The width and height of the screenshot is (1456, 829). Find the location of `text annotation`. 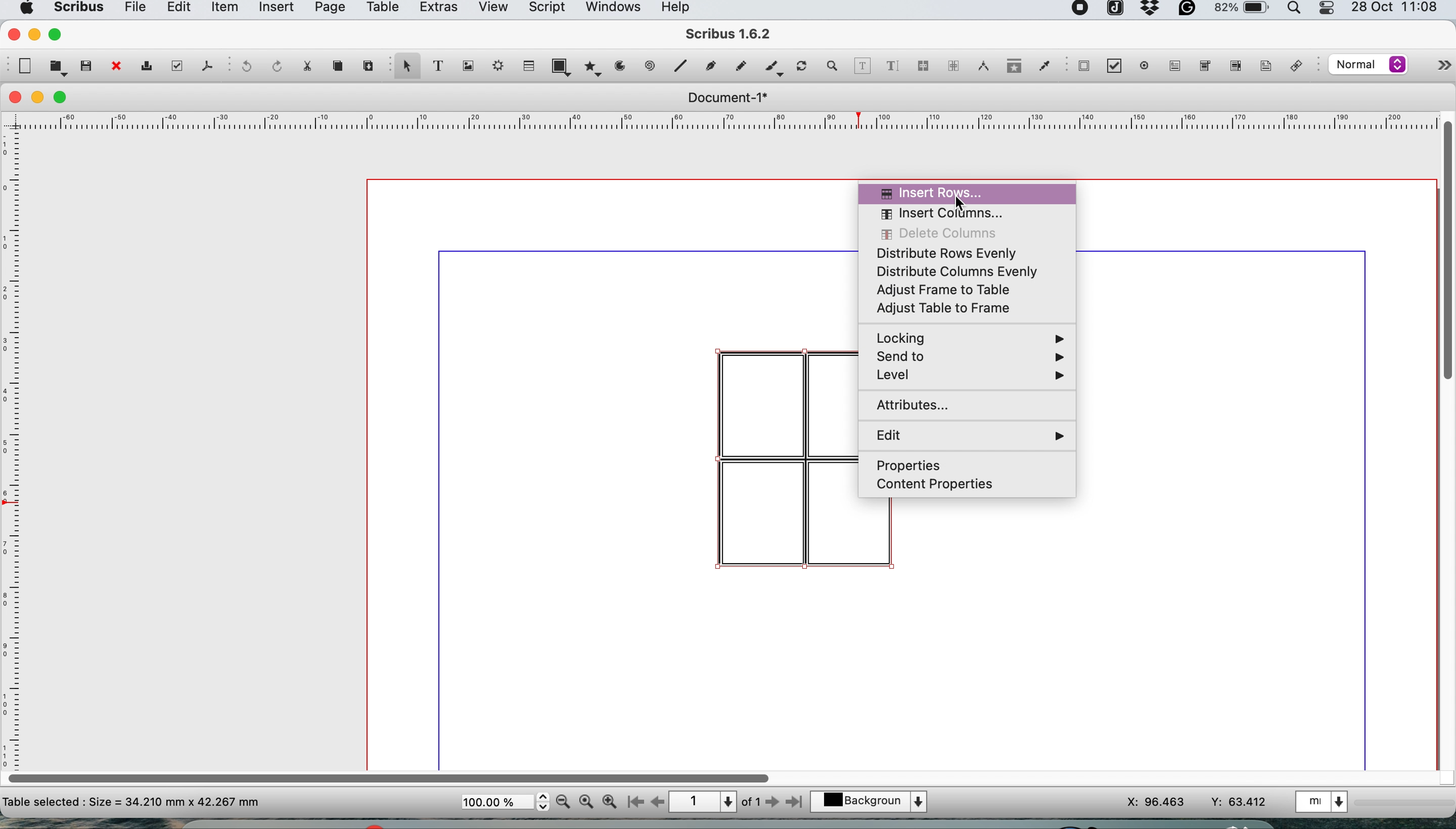

text annotation is located at coordinates (1264, 65).